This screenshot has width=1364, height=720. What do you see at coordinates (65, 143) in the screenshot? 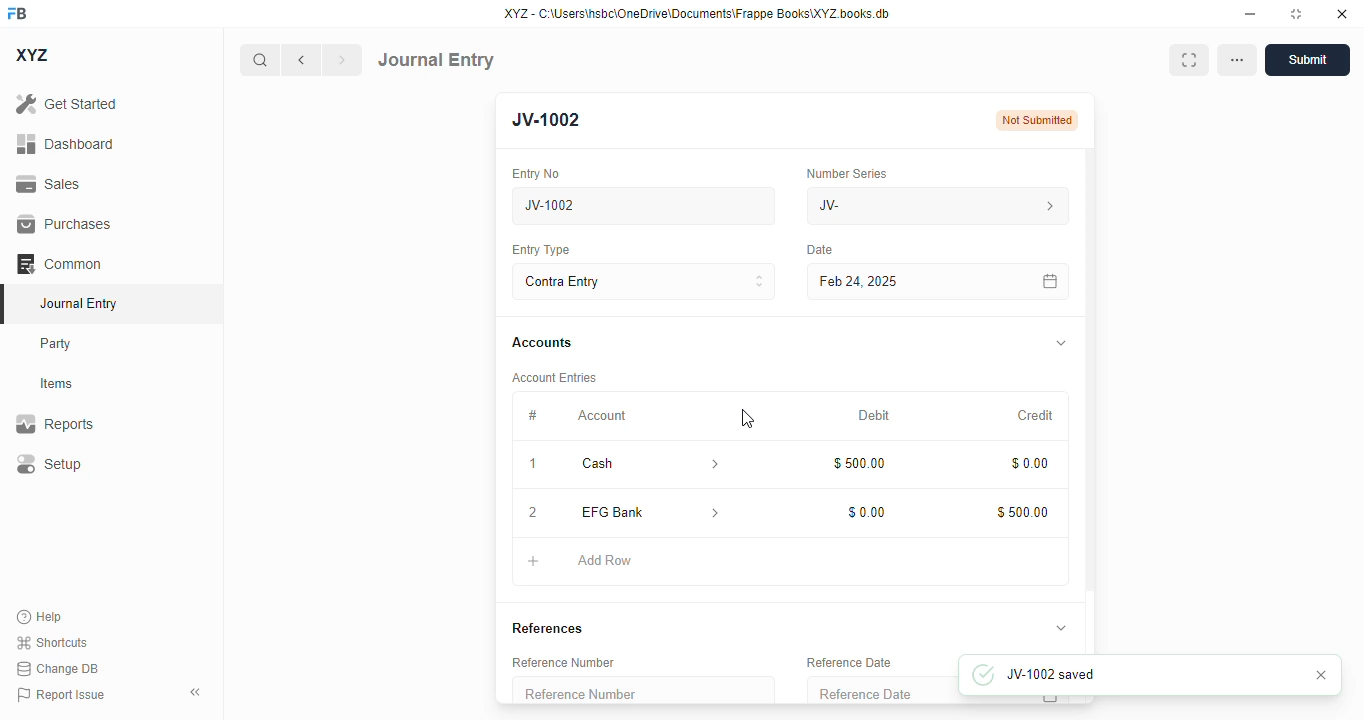
I see `dashboard` at bounding box center [65, 143].